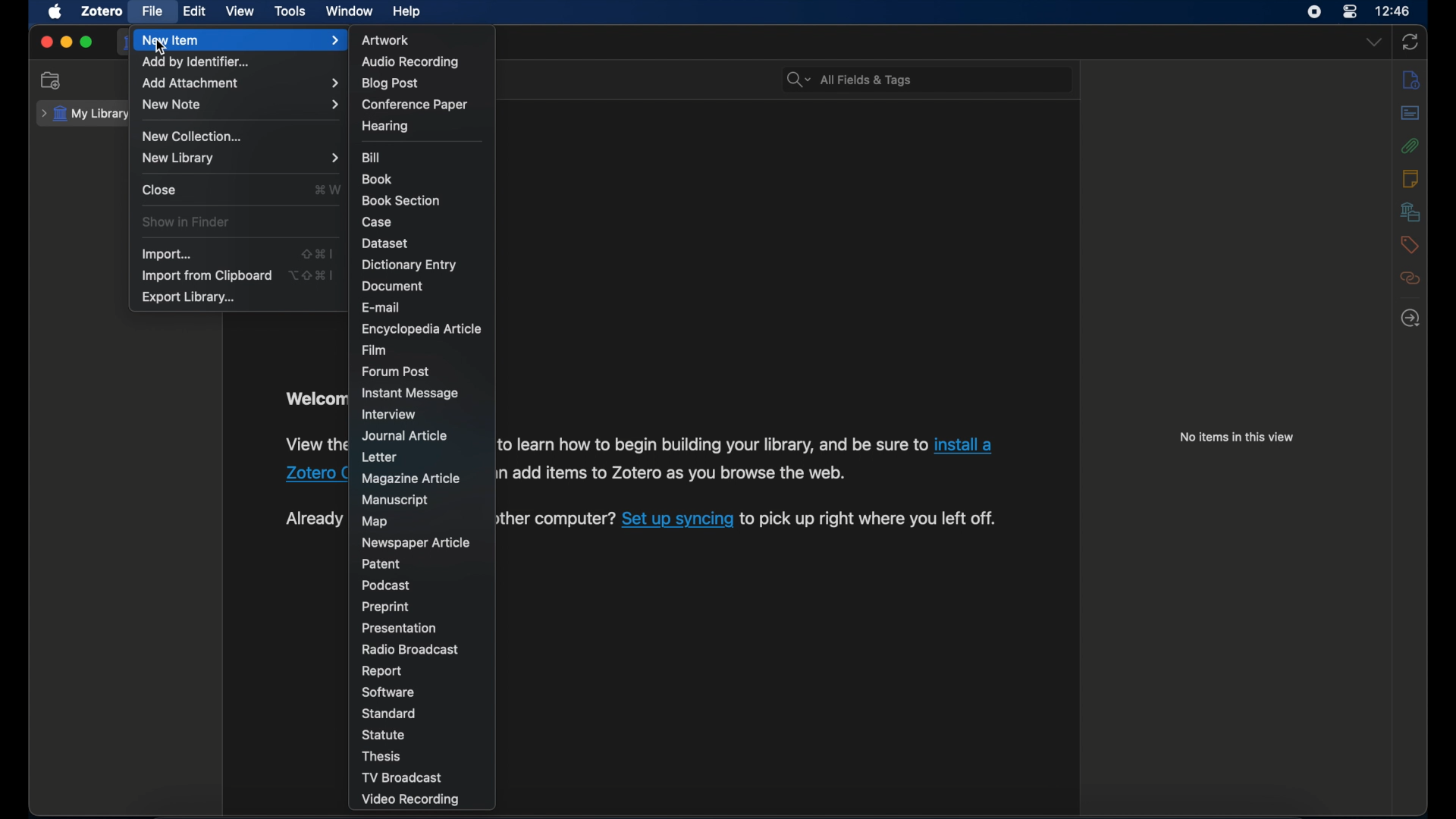 This screenshot has width=1456, height=819. Describe the element at coordinates (86, 42) in the screenshot. I see `maximize` at that location.